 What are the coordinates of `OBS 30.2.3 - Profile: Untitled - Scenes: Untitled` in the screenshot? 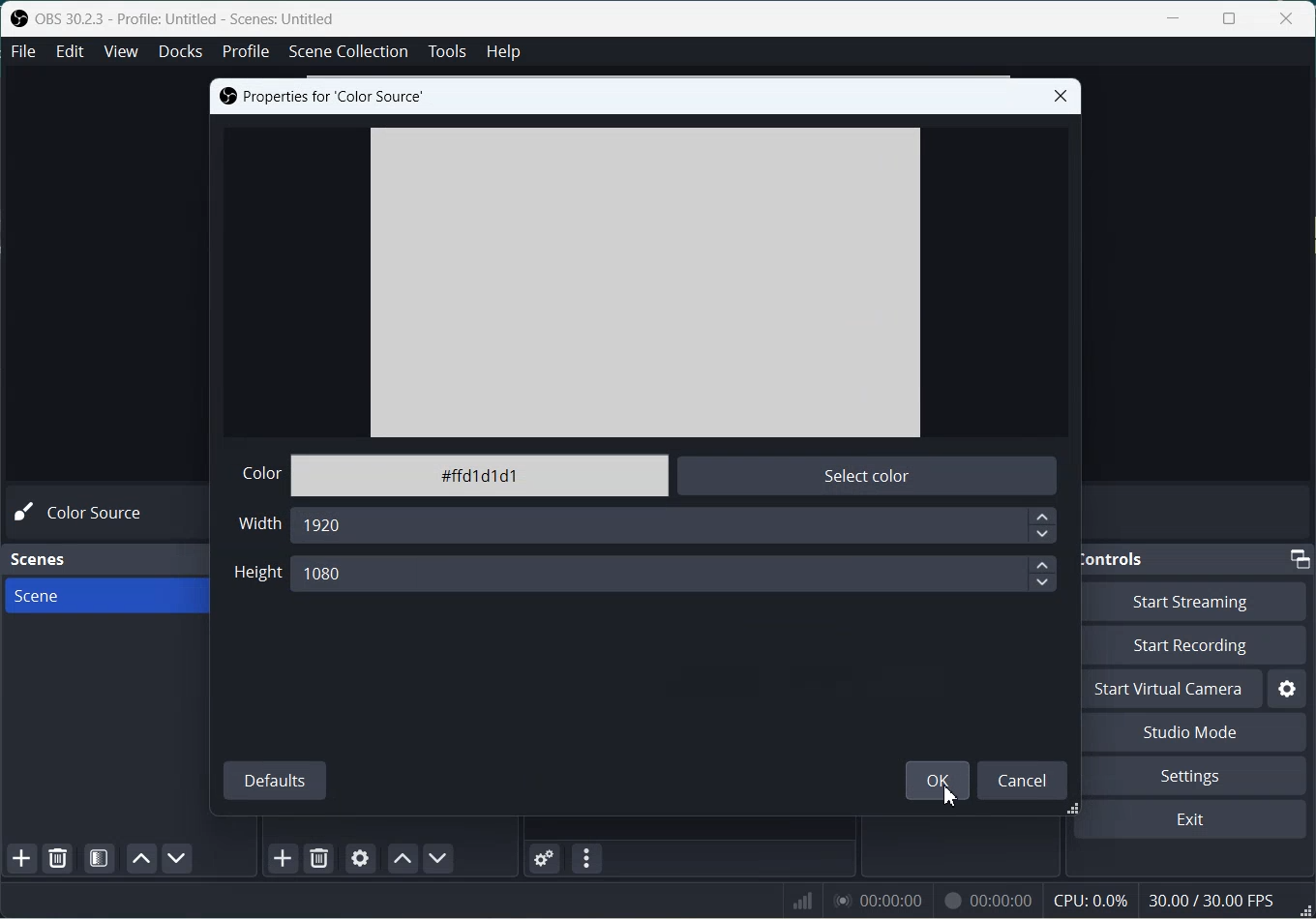 It's located at (189, 18).